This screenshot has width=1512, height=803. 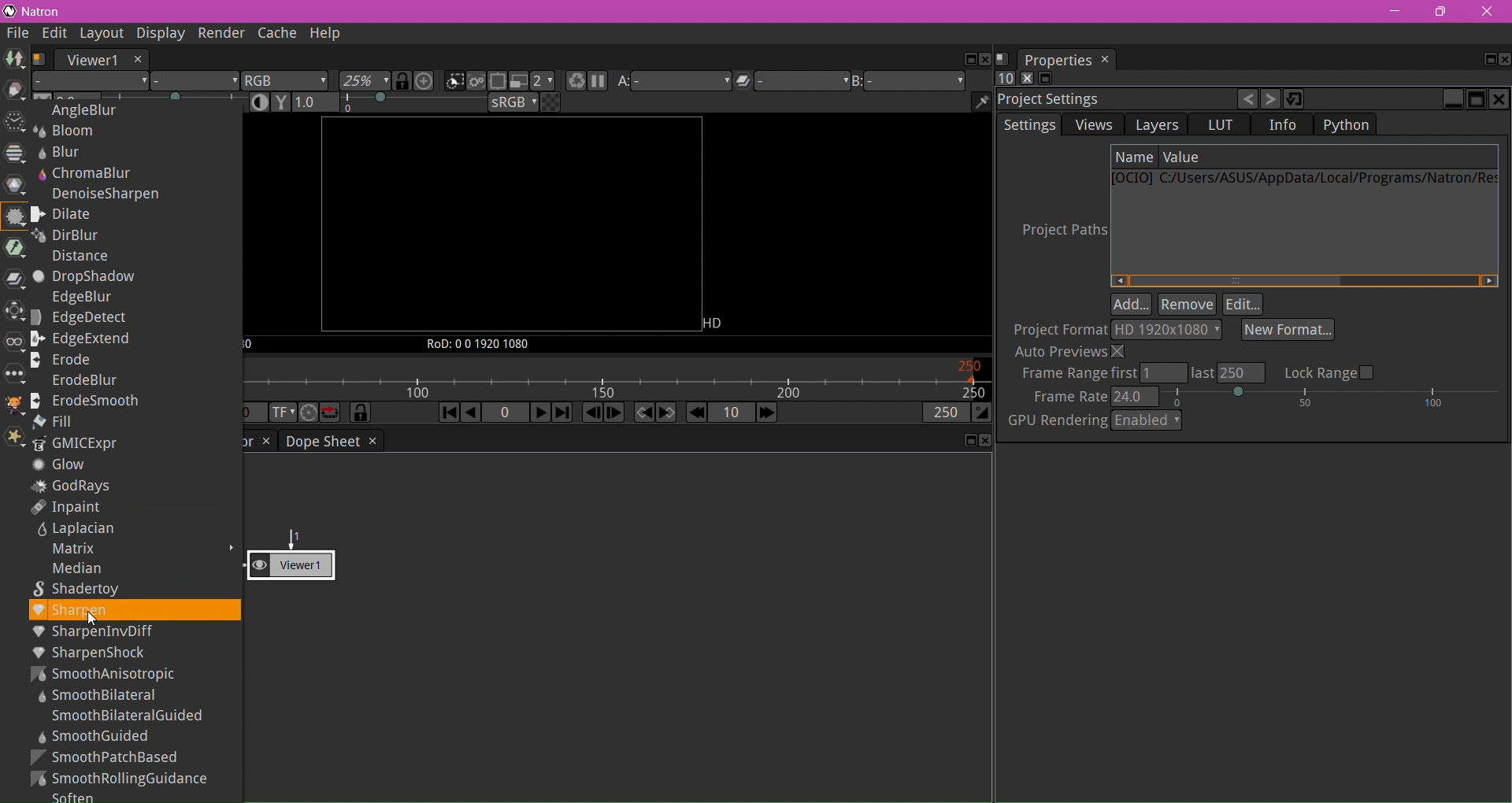 What do you see at coordinates (944, 415) in the screenshot?
I see `The playback out point` at bounding box center [944, 415].